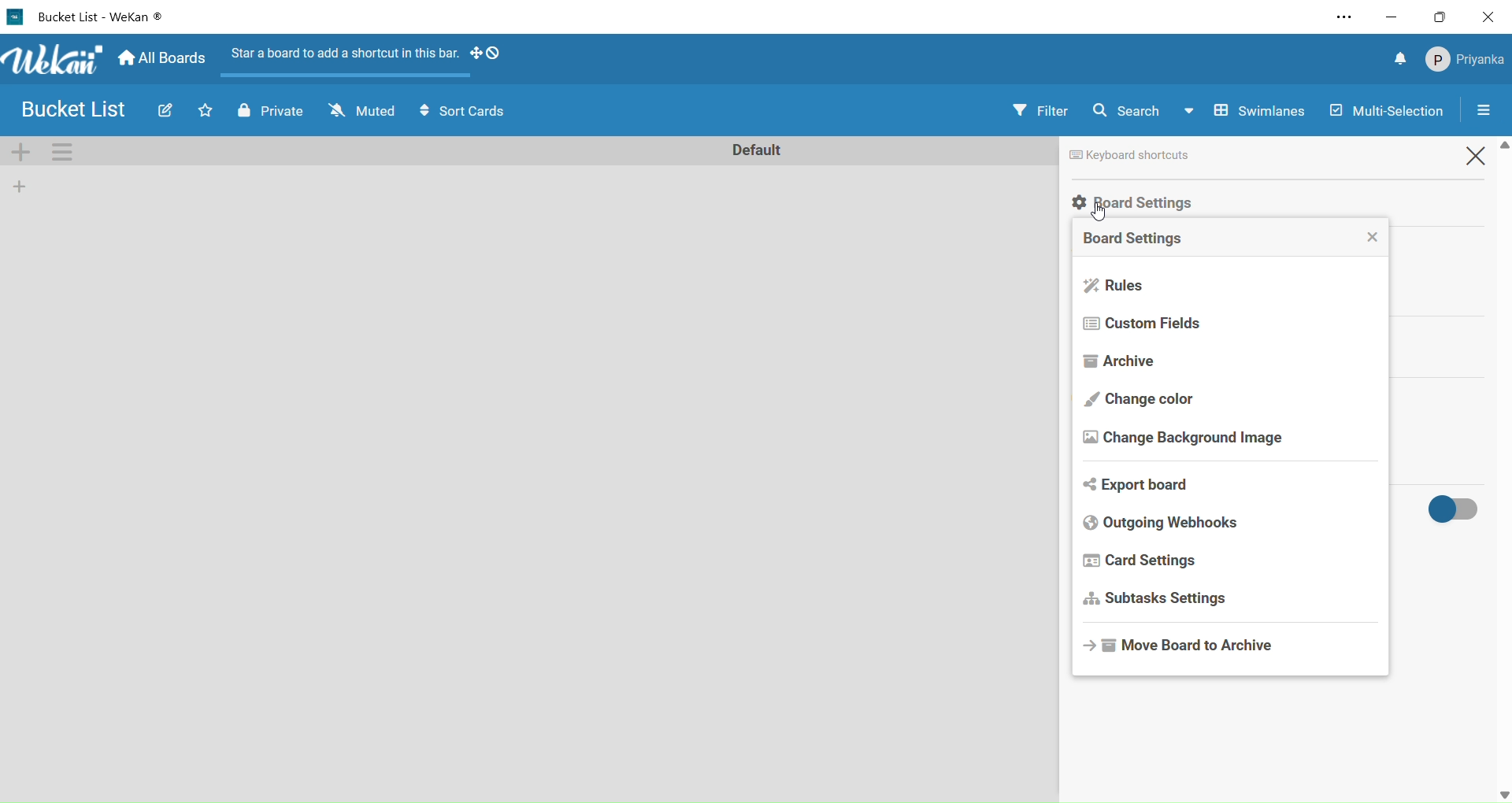 The width and height of the screenshot is (1512, 803). What do you see at coordinates (1466, 60) in the screenshot?
I see `member settings` at bounding box center [1466, 60].